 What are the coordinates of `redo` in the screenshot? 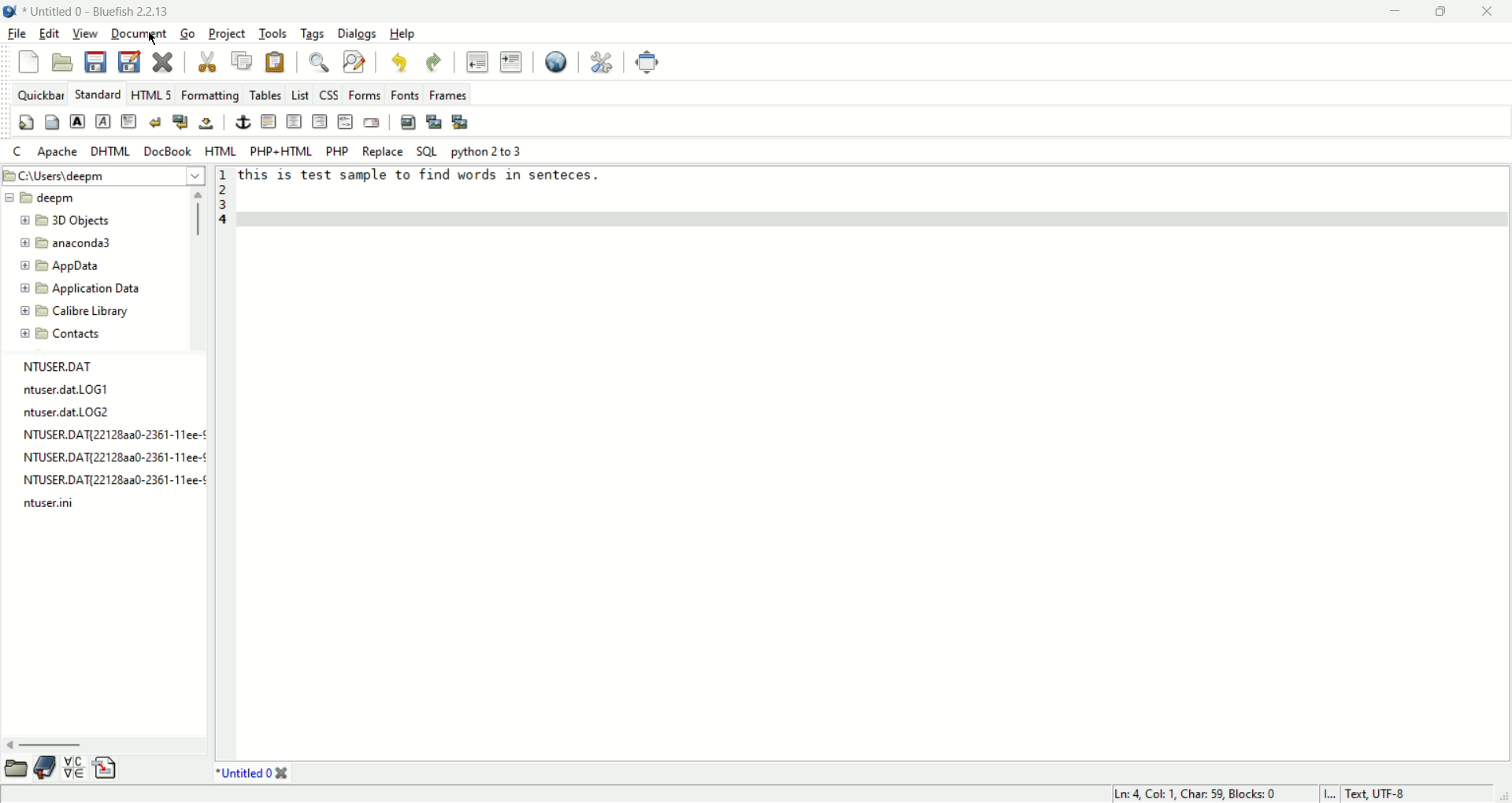 It's located at (434, 61).